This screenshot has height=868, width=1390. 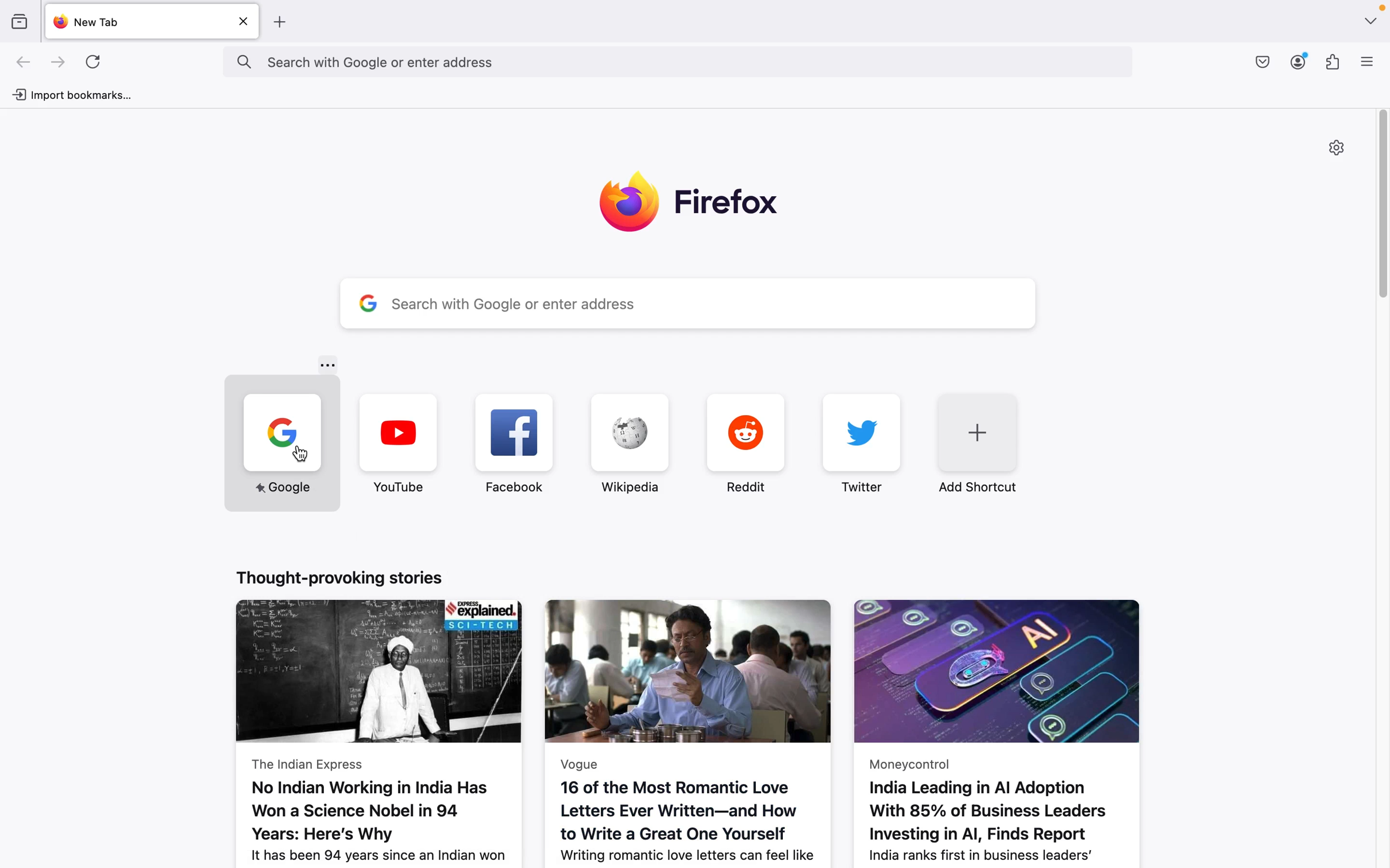 I want to click on go back, so click(x=24, y=63).